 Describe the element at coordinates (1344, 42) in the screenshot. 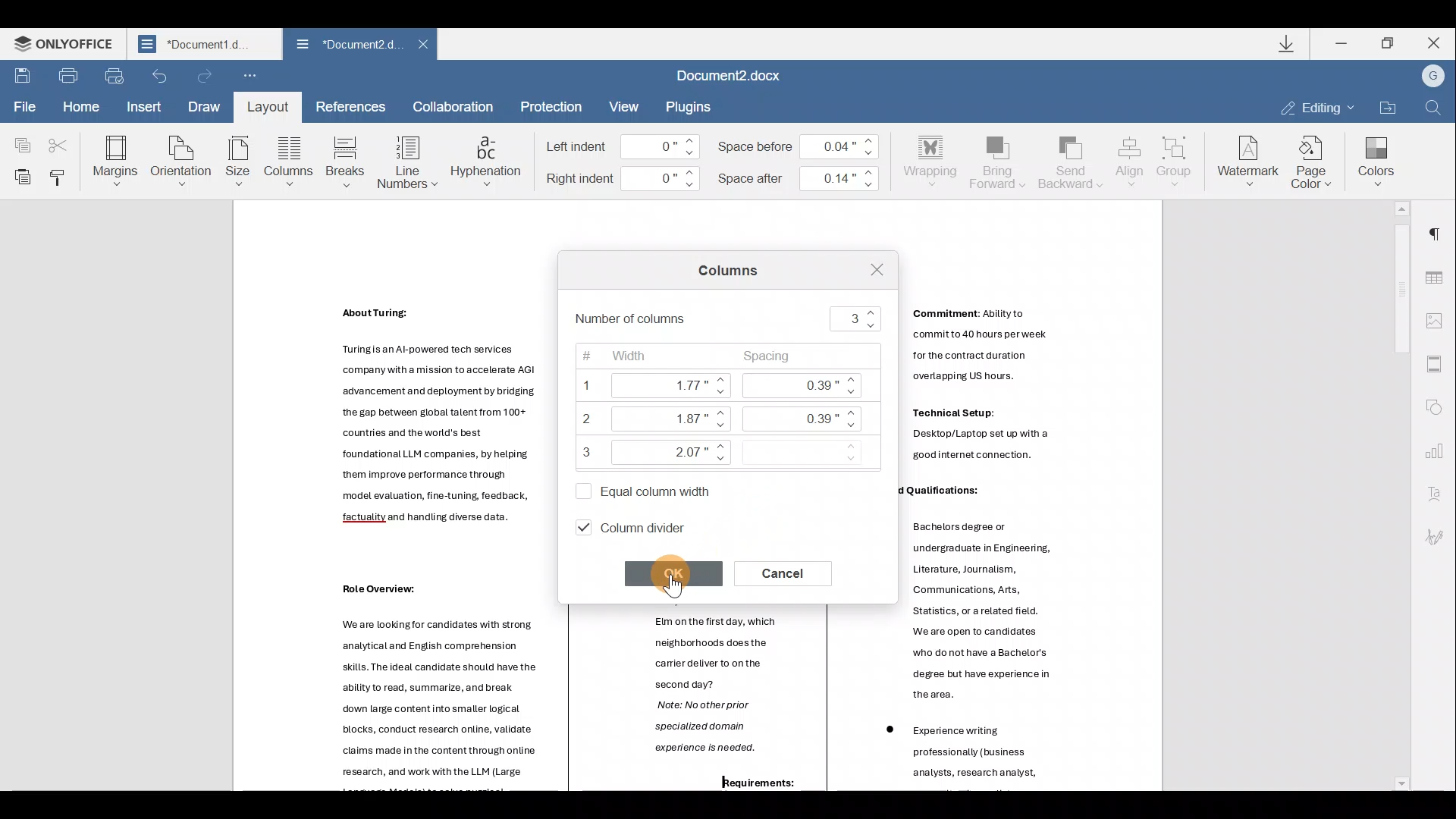

I see `Minimize` at that location.